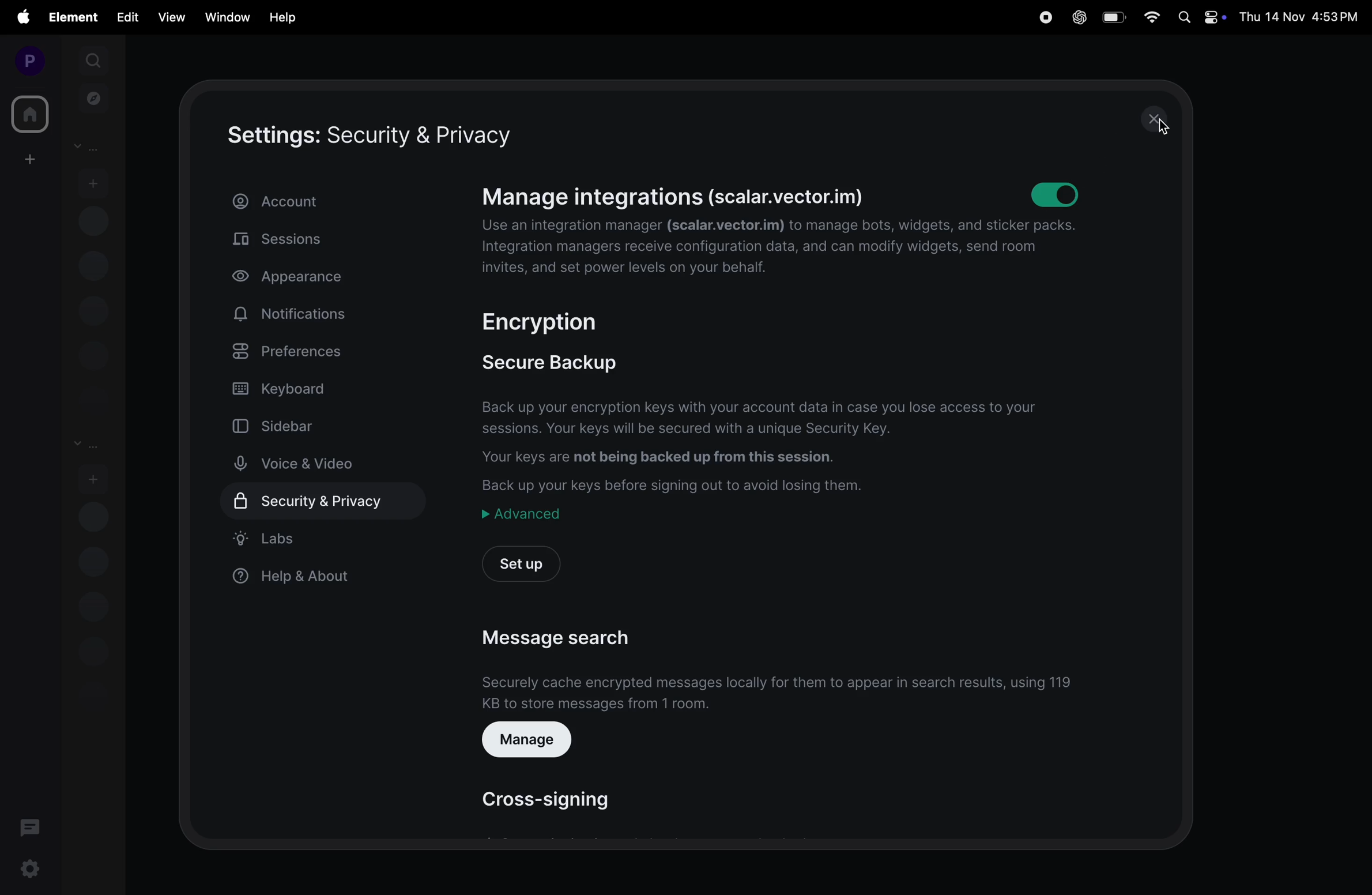 The width and height of the screenshot is (1372, 895). Describe the element at coordinates (1077, 17) in the screenshot. I see `chat gpt` at that location.